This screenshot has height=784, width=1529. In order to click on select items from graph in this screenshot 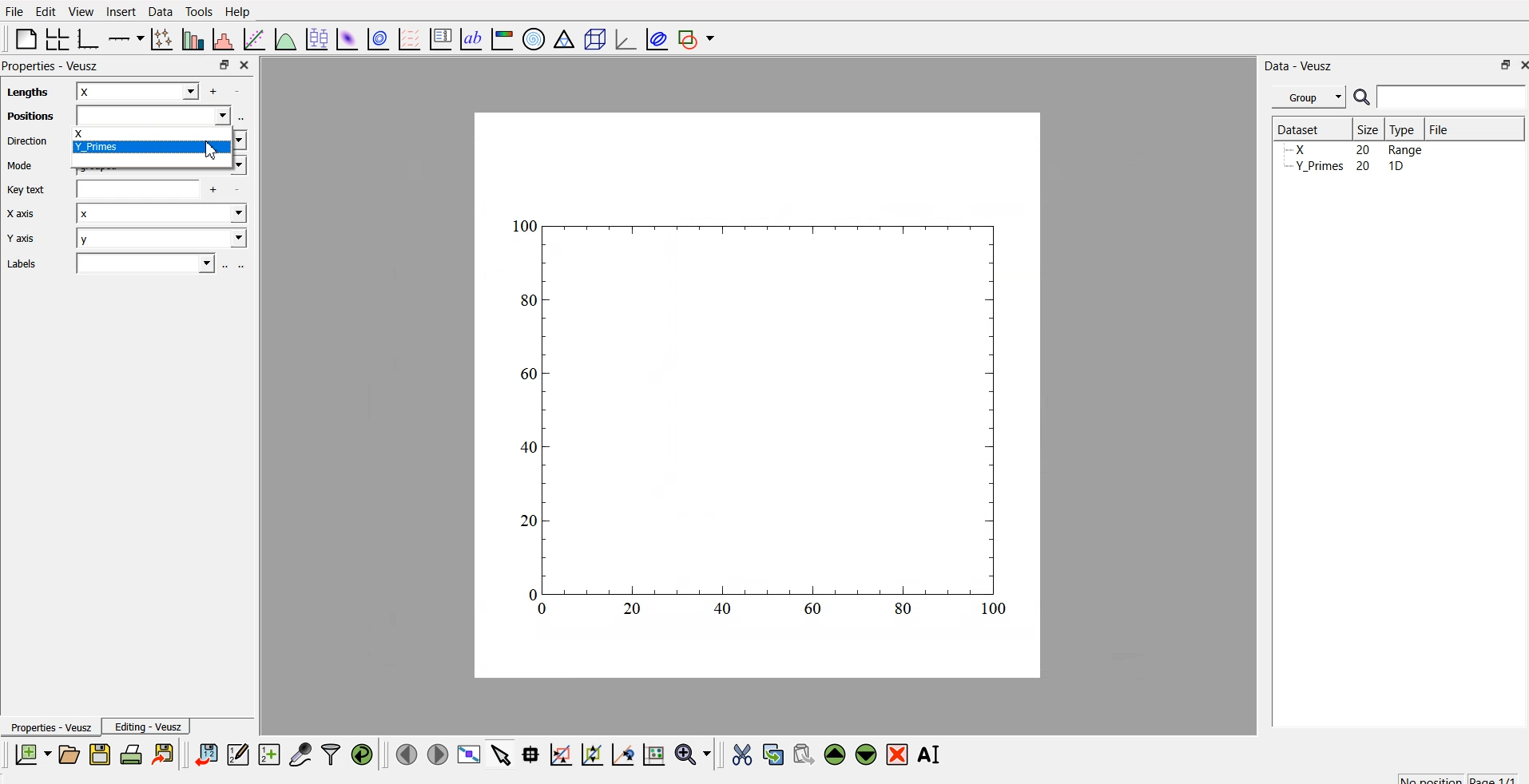, I will do `click(502, 754)`.